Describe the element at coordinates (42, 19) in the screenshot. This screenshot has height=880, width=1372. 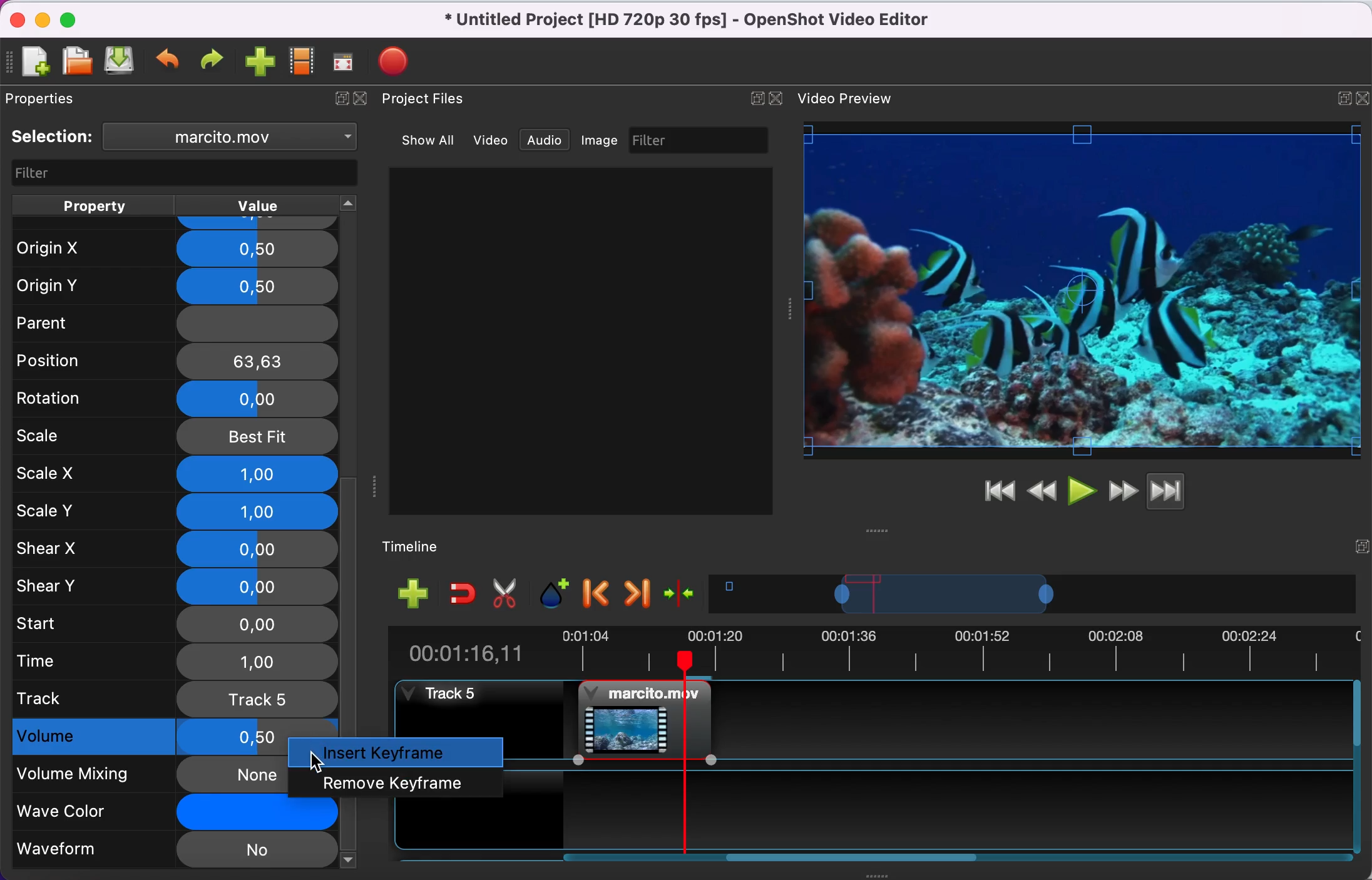
I see `minimize` at that location.